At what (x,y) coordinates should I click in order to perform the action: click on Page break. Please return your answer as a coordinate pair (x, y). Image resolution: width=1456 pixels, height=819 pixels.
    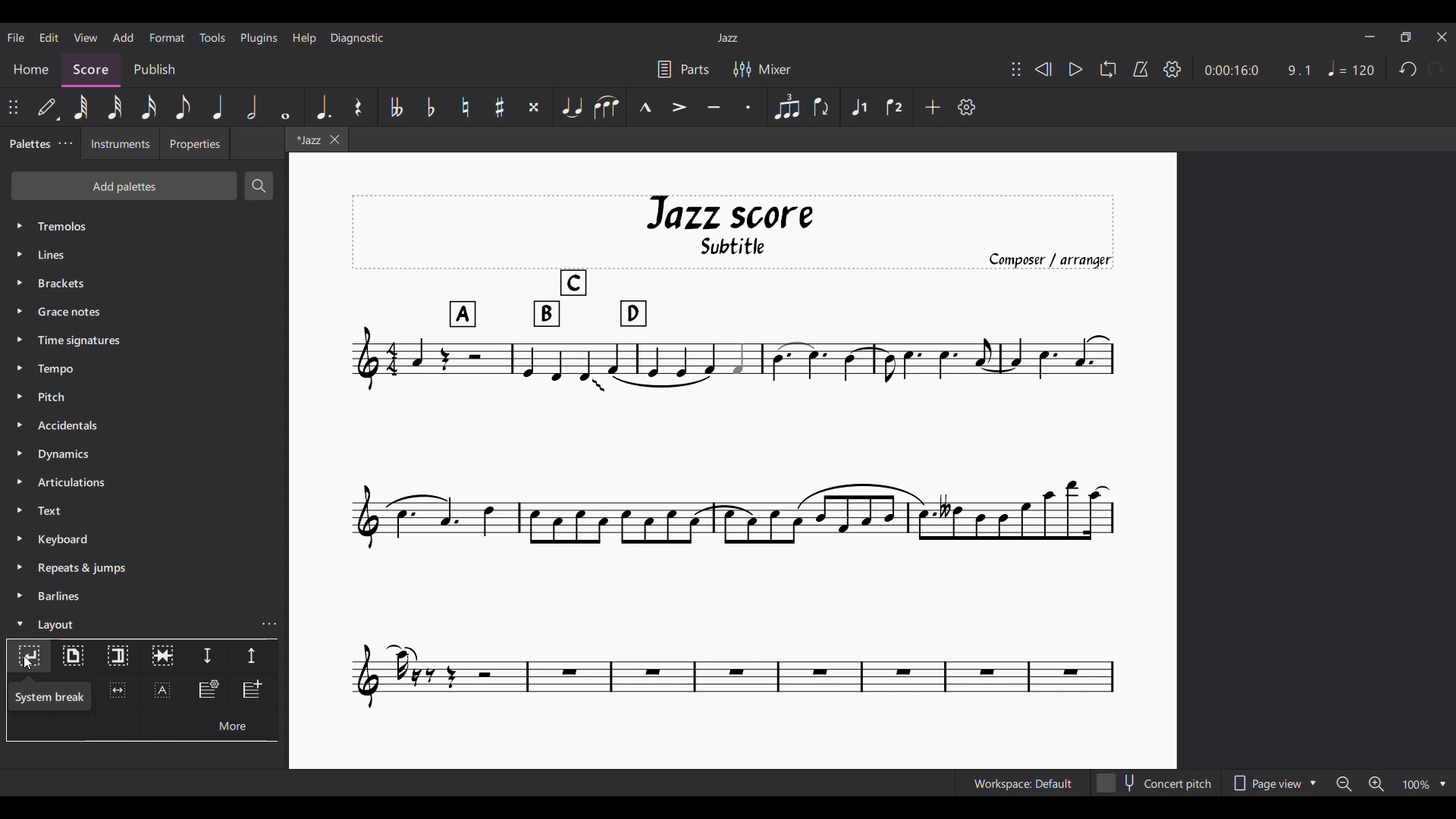
    Looking at the image, I should click on (73, 657).